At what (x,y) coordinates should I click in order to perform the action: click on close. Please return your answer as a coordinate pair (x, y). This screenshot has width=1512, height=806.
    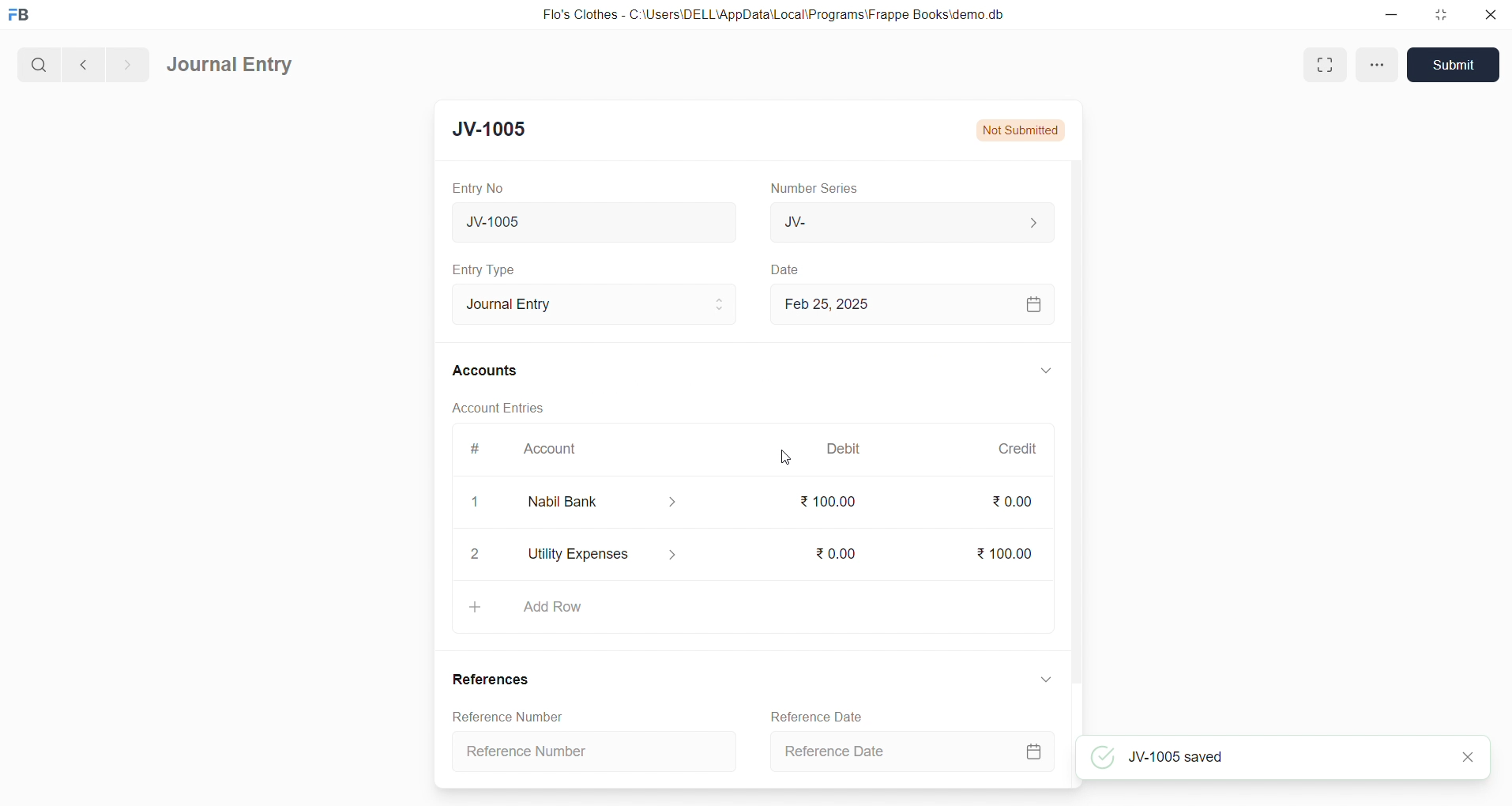
    Looking at the image, I should click on (1487, 16).